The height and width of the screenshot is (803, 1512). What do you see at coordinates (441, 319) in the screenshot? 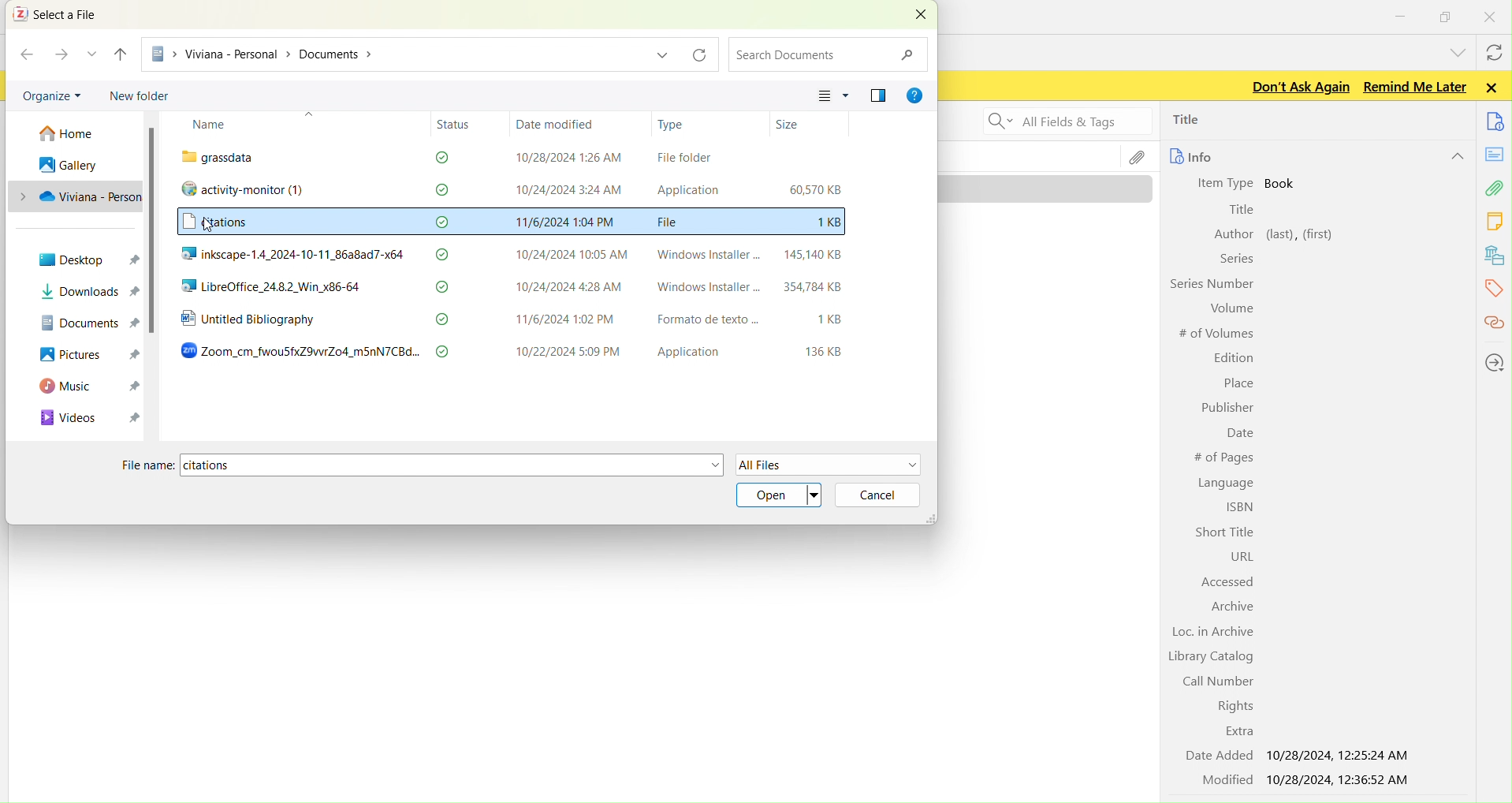
I see `check` at bounding box center [441, 319].